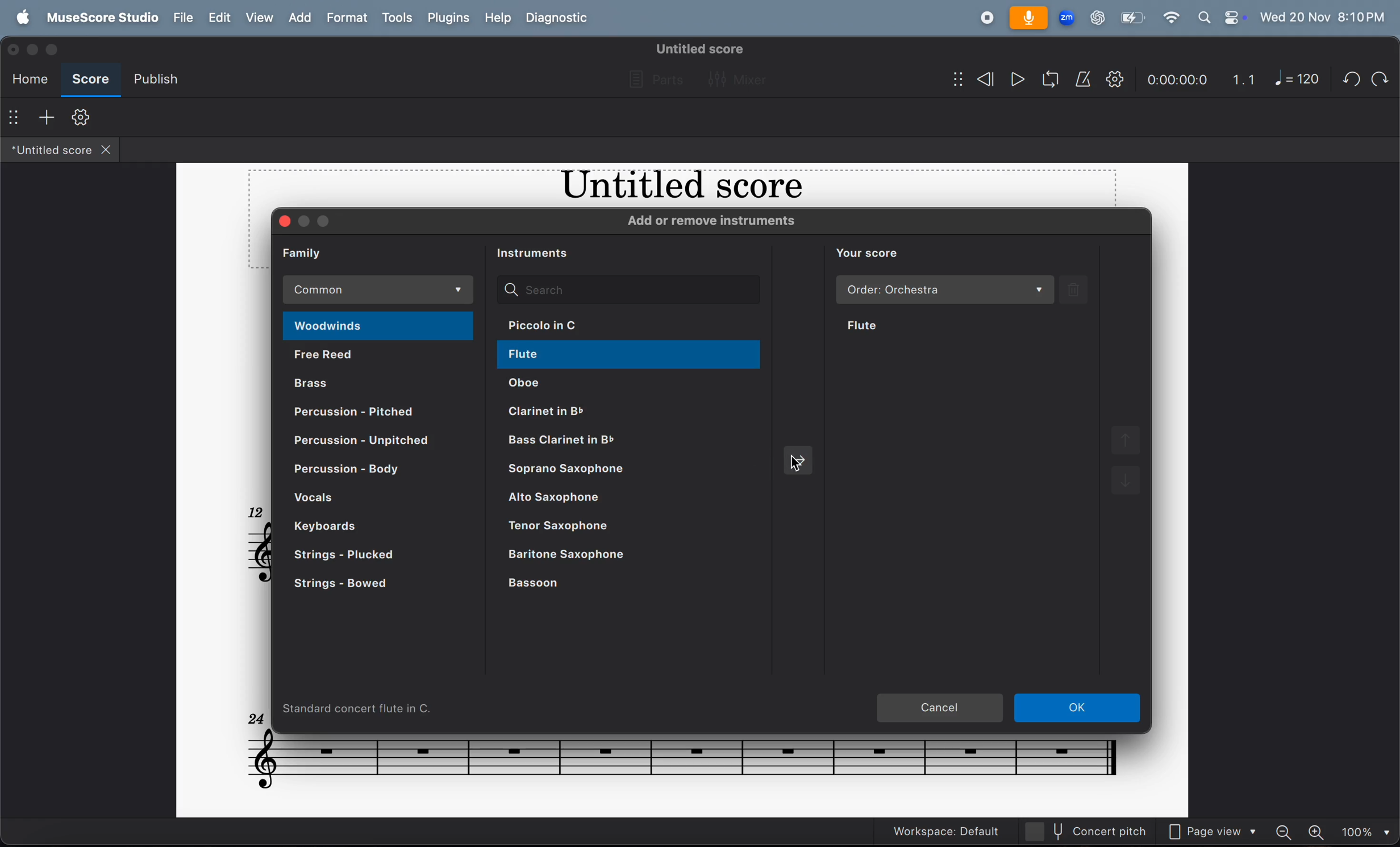 The height and width of the screenshot is (847, 1400). I want to click on add selected instruments to score, so click(801, 458).